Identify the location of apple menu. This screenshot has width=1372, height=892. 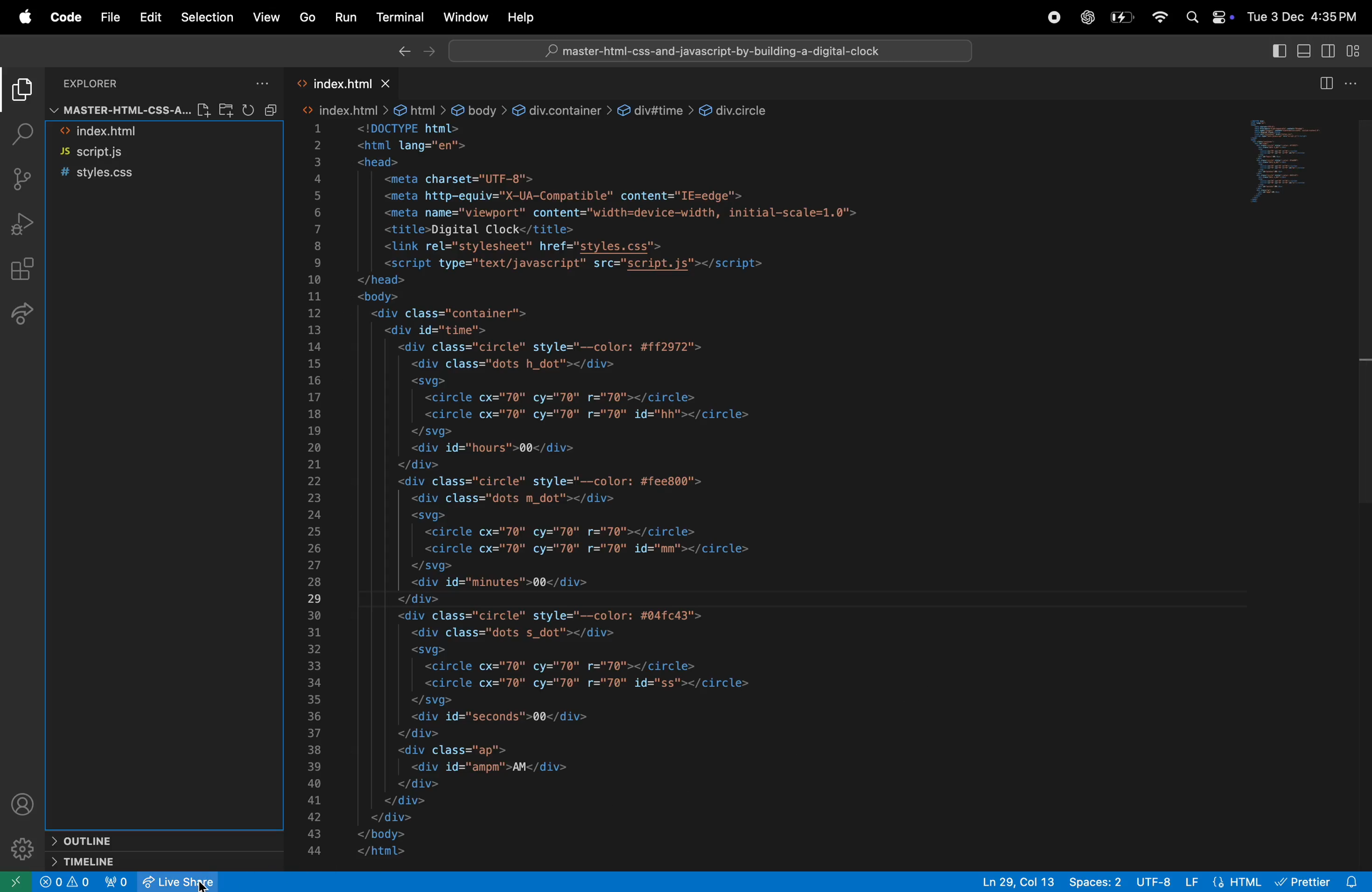
(19, 17).